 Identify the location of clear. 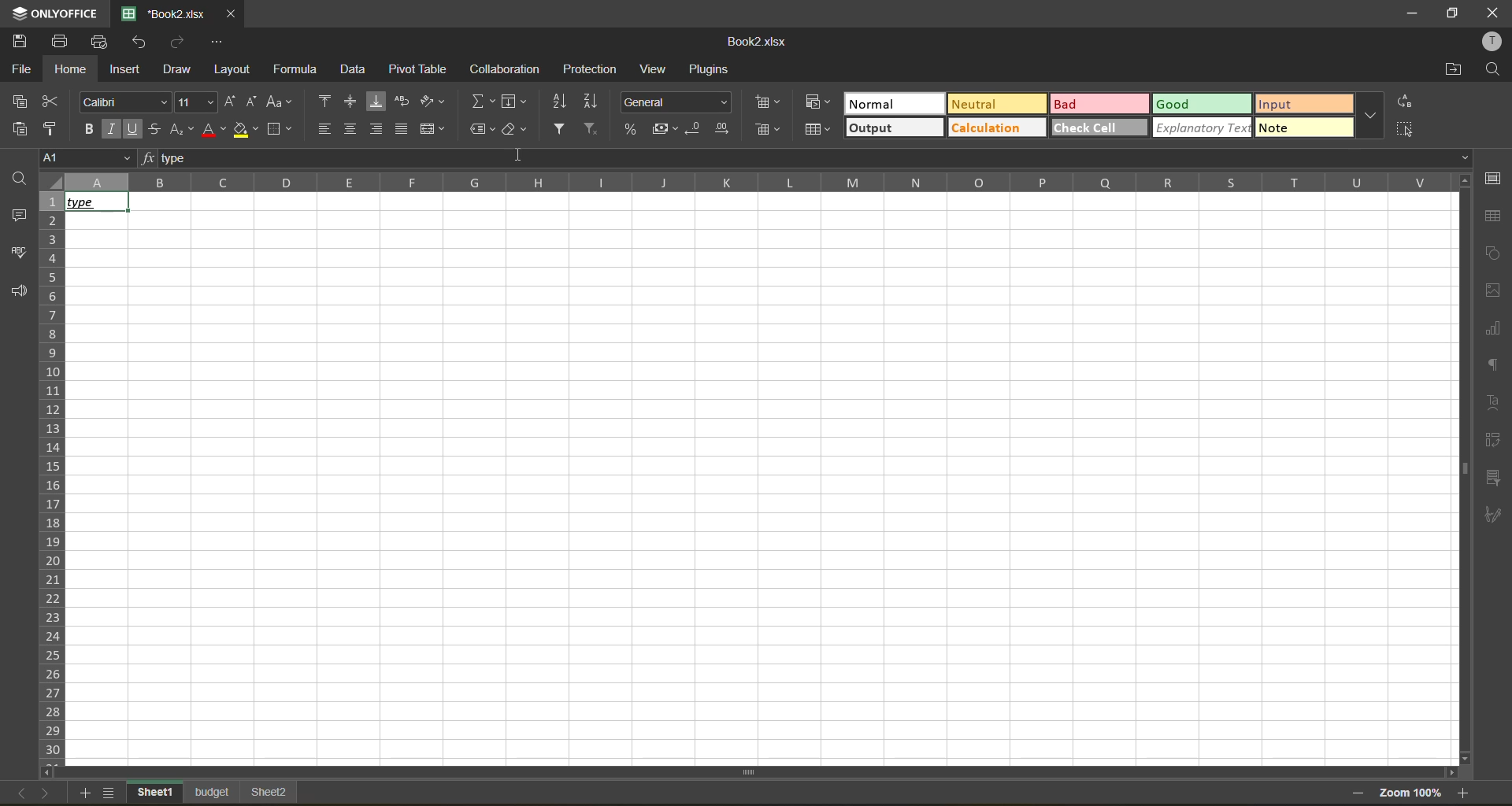
(517, 130).